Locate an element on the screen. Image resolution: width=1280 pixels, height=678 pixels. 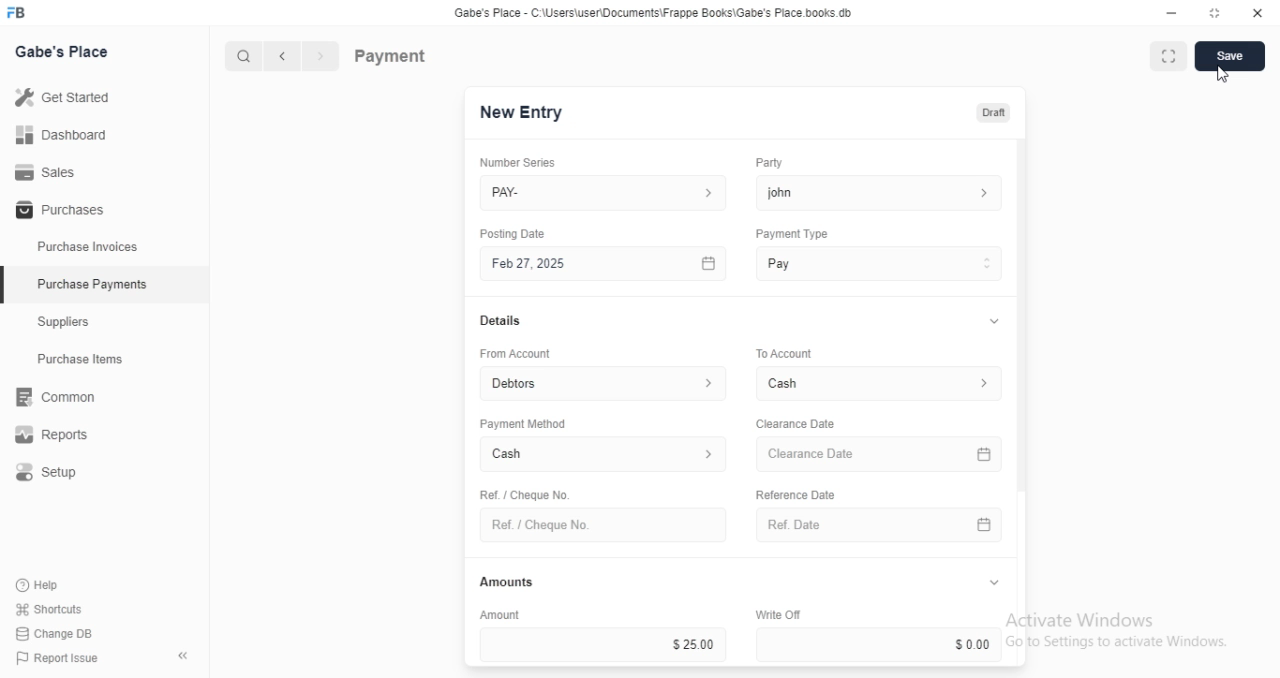
Payment is located at coordinates (391, 55).